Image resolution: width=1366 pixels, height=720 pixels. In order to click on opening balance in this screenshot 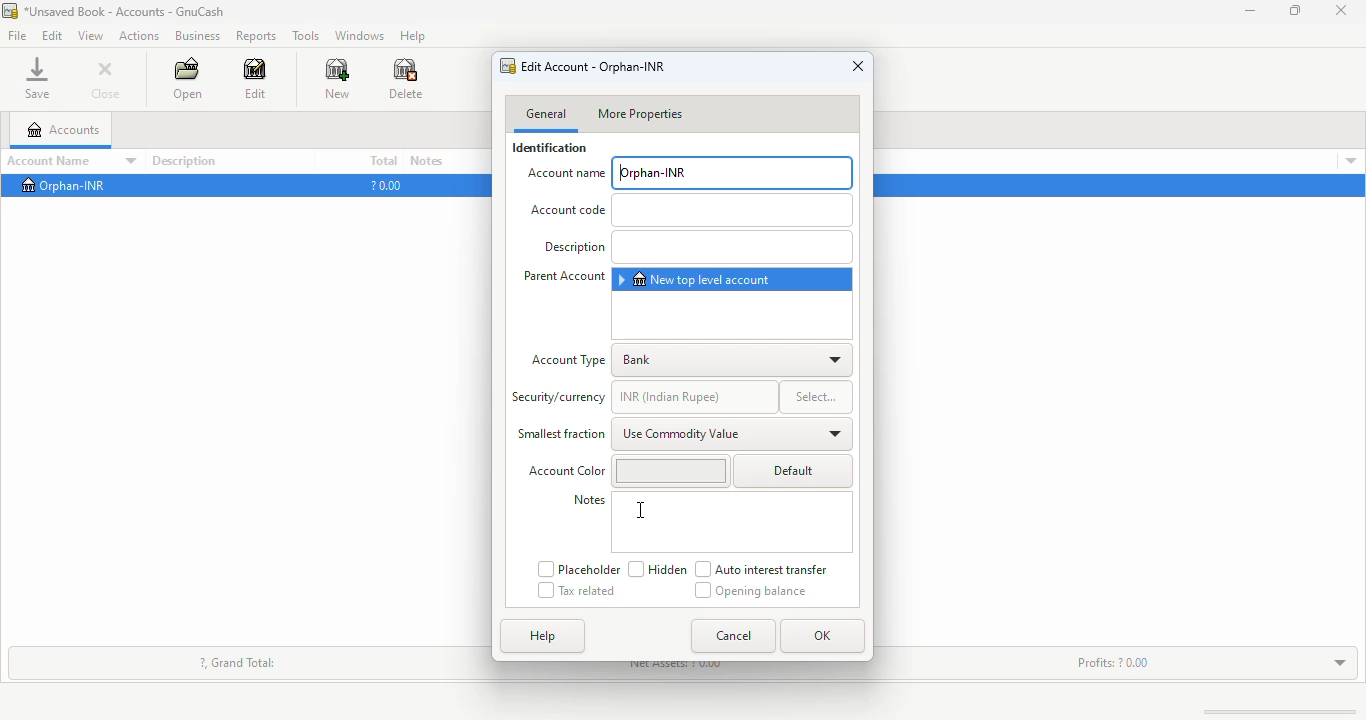, I will do `click(750, 590)`.